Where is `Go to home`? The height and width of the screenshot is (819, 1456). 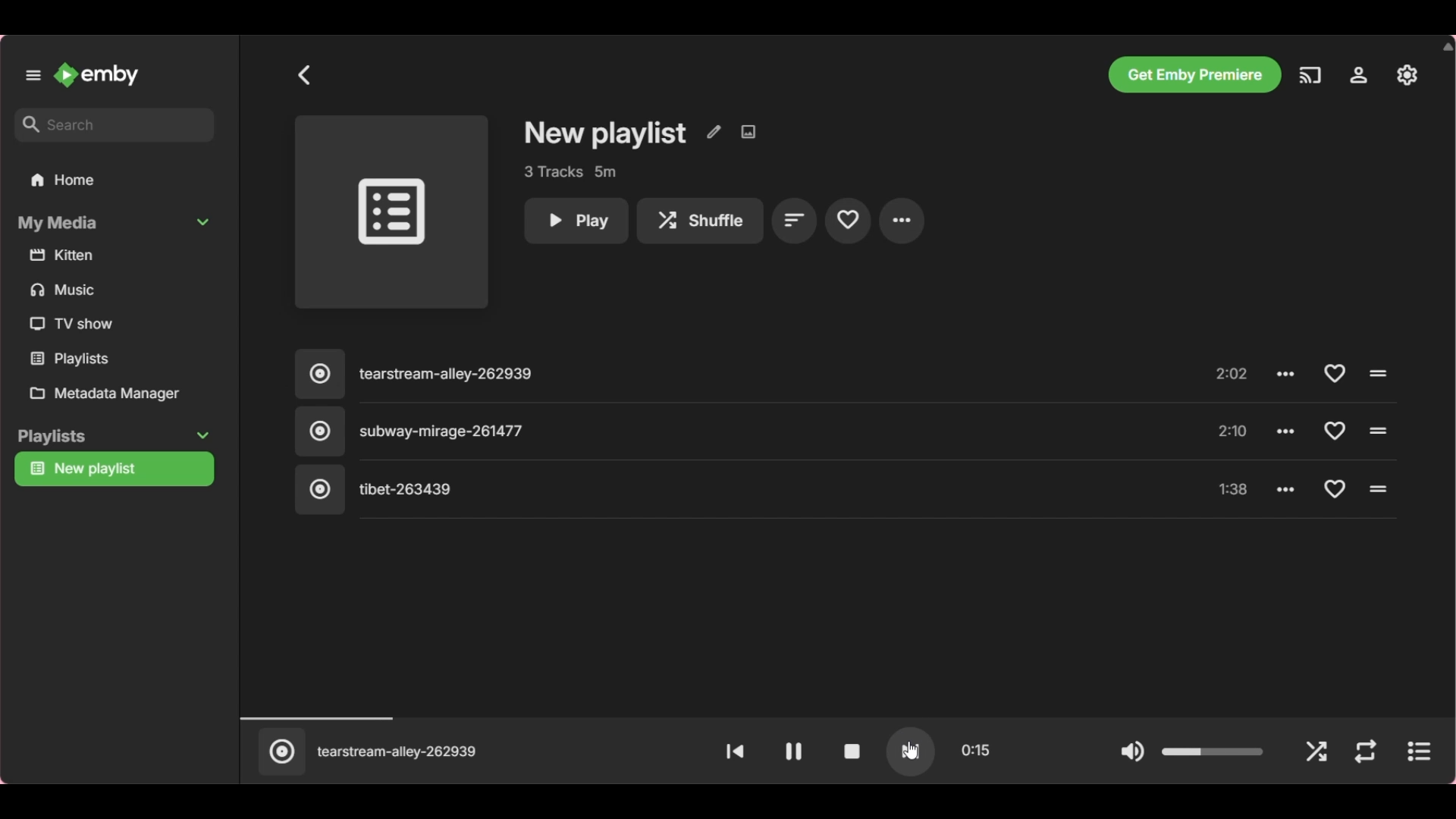 Go to home is located at coordinates (96, 74).